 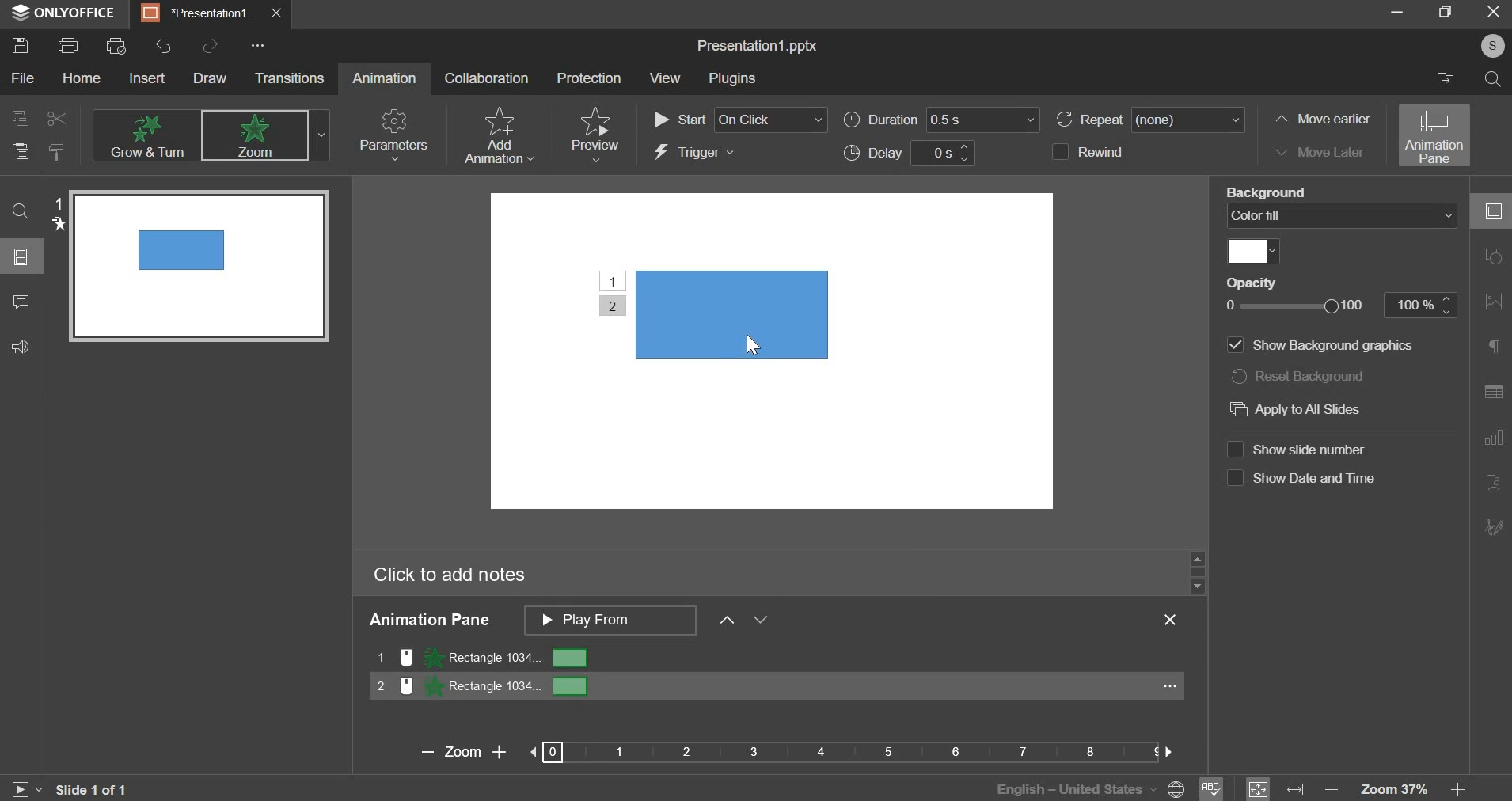 I want to click on More Options, so click(x=1493, y=526).